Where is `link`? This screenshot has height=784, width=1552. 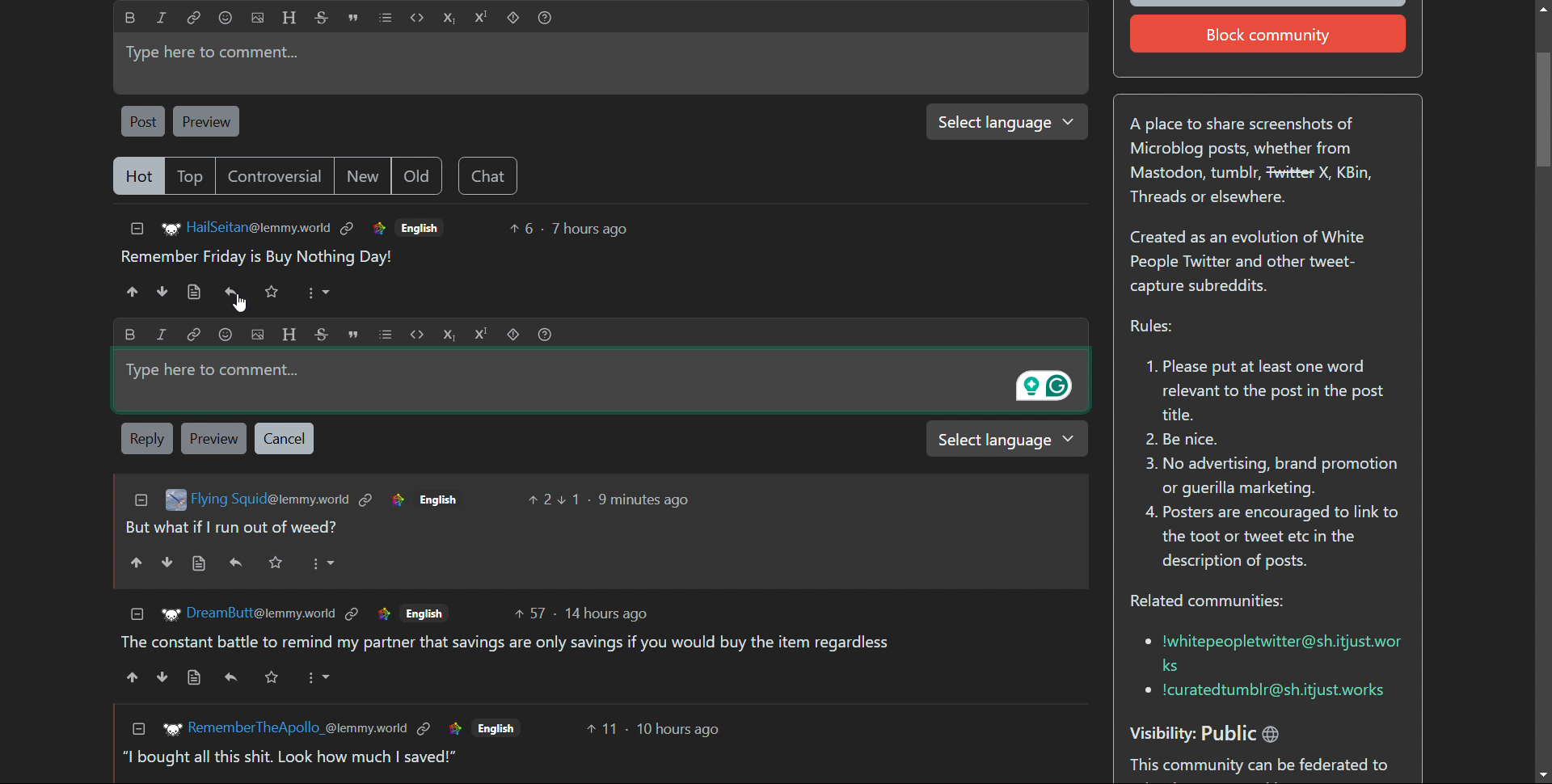 link is located at coordinates (378, 230).